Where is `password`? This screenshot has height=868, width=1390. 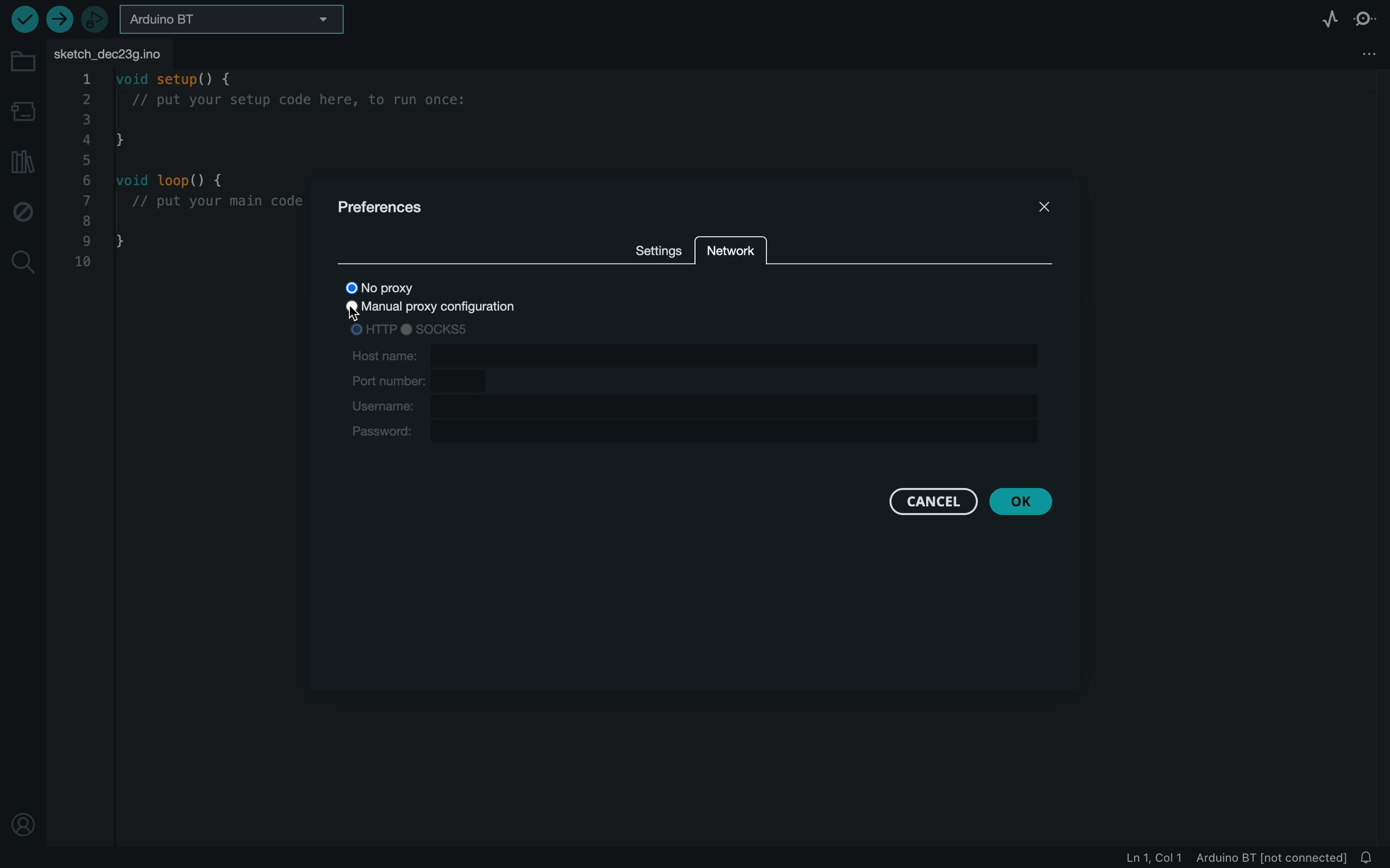
password is located at coordinates (693, 433).